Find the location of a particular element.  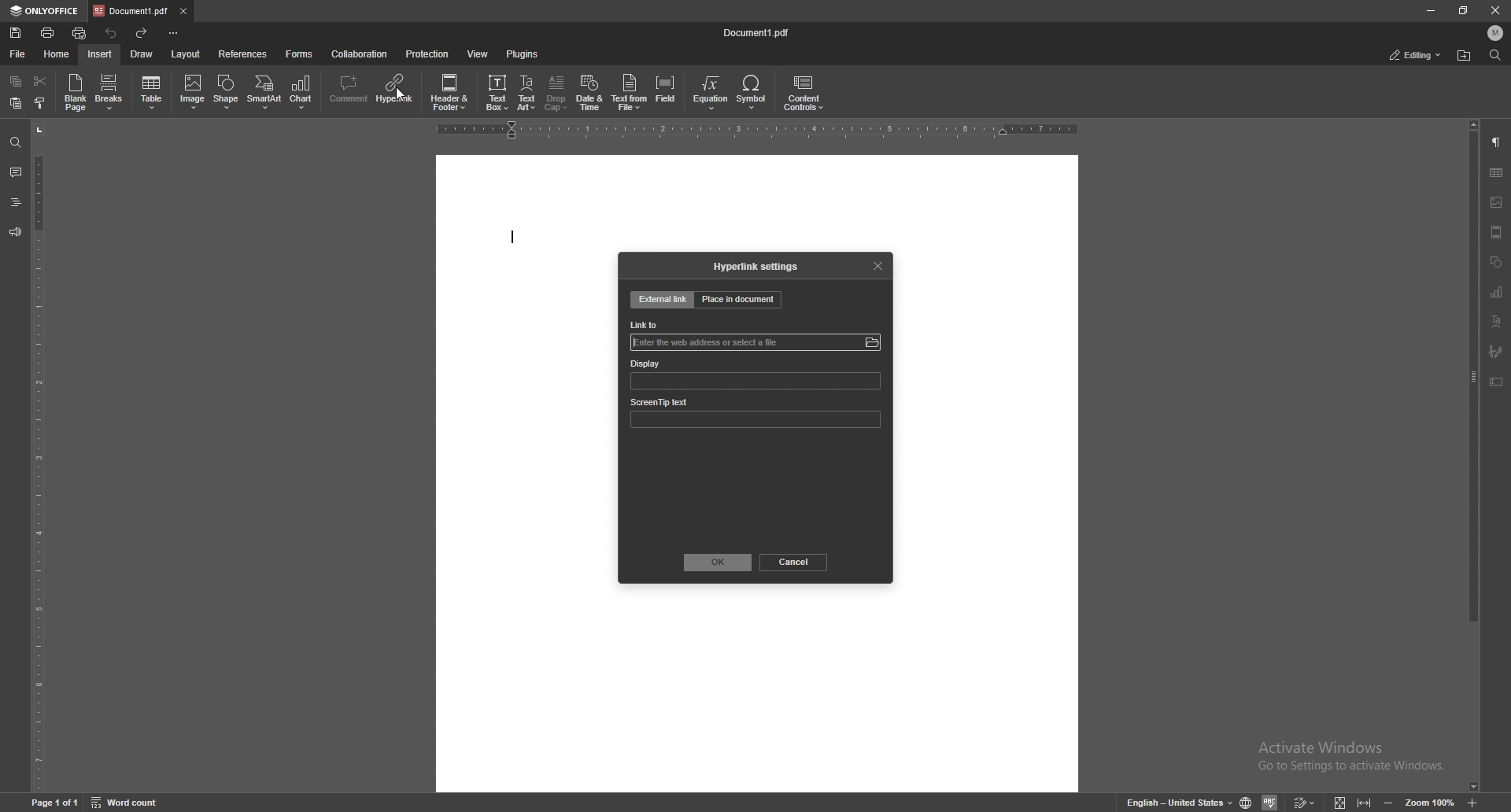

display input is located at coordinates (756, 383).